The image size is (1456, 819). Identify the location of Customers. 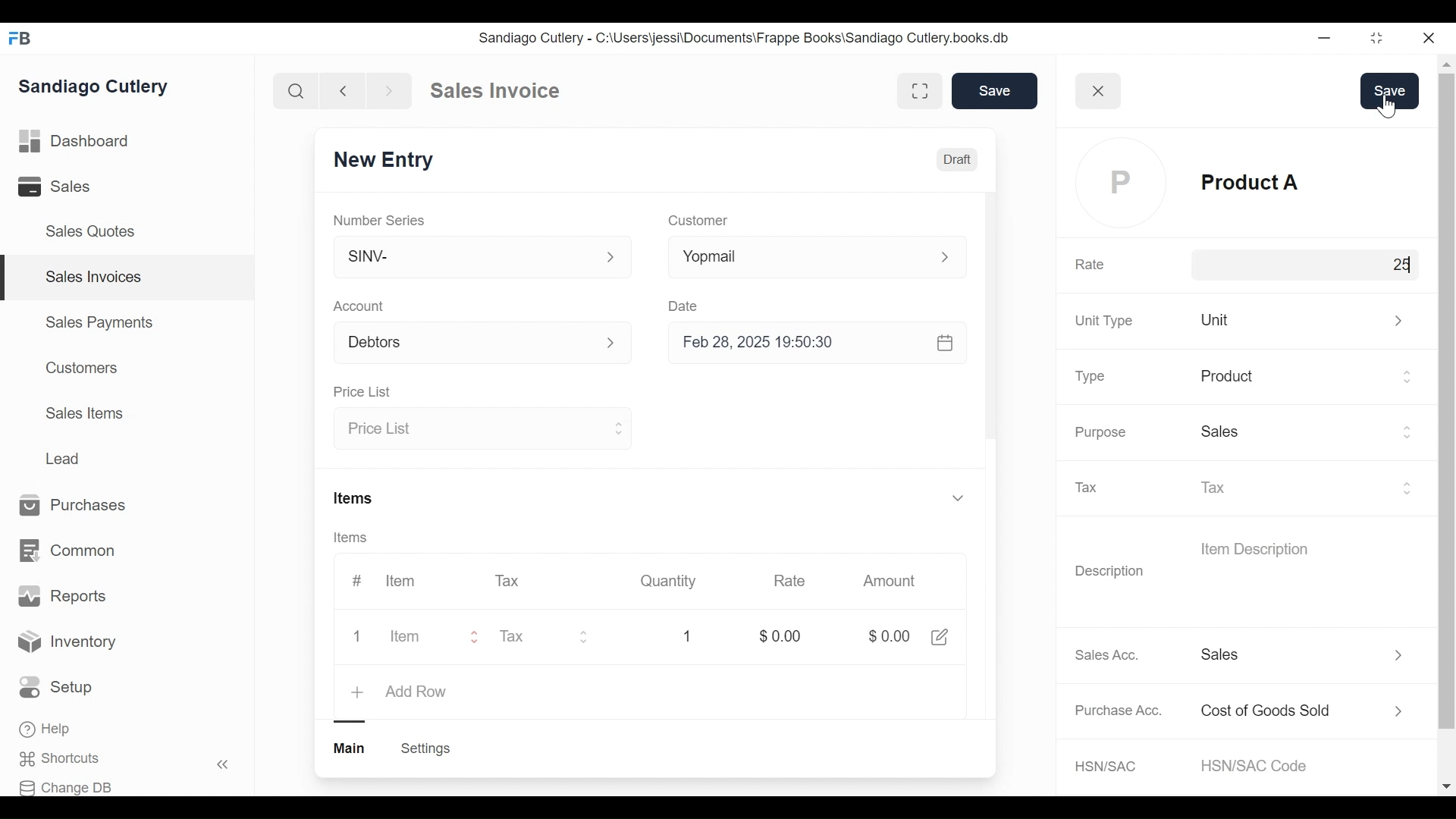
(78, 368).